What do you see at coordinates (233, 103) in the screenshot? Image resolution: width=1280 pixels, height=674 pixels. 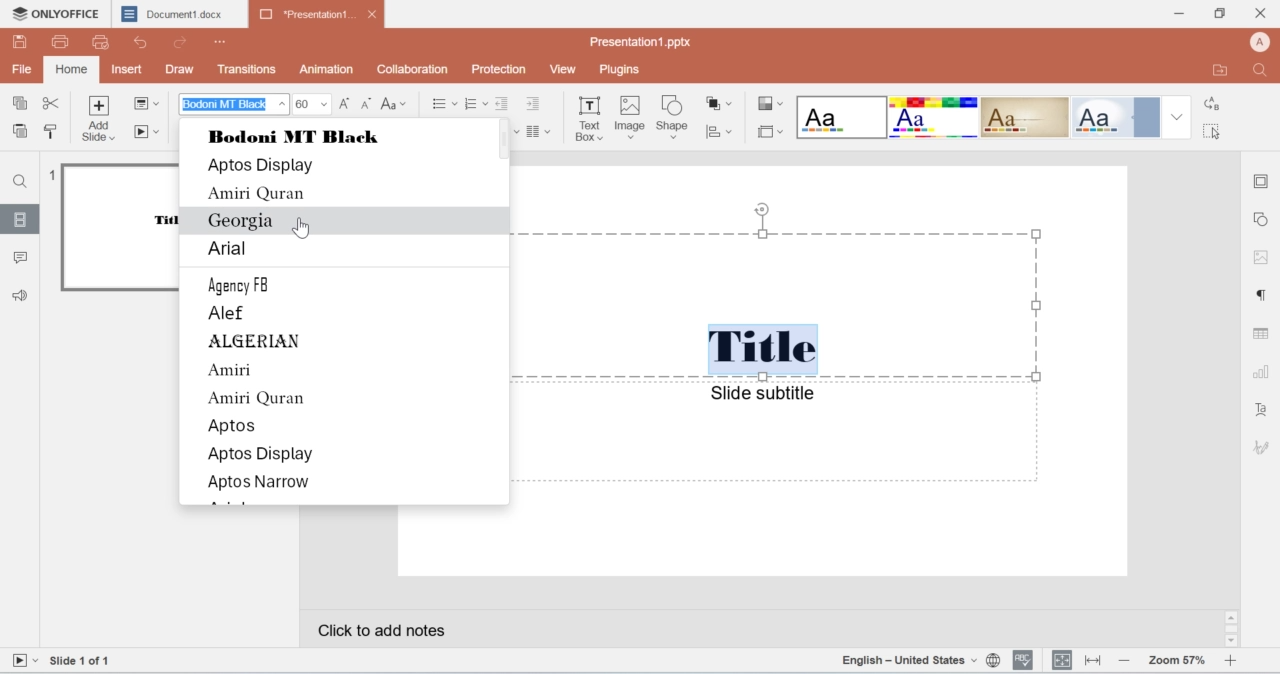 I see `font` at bounding box center [233, 103].